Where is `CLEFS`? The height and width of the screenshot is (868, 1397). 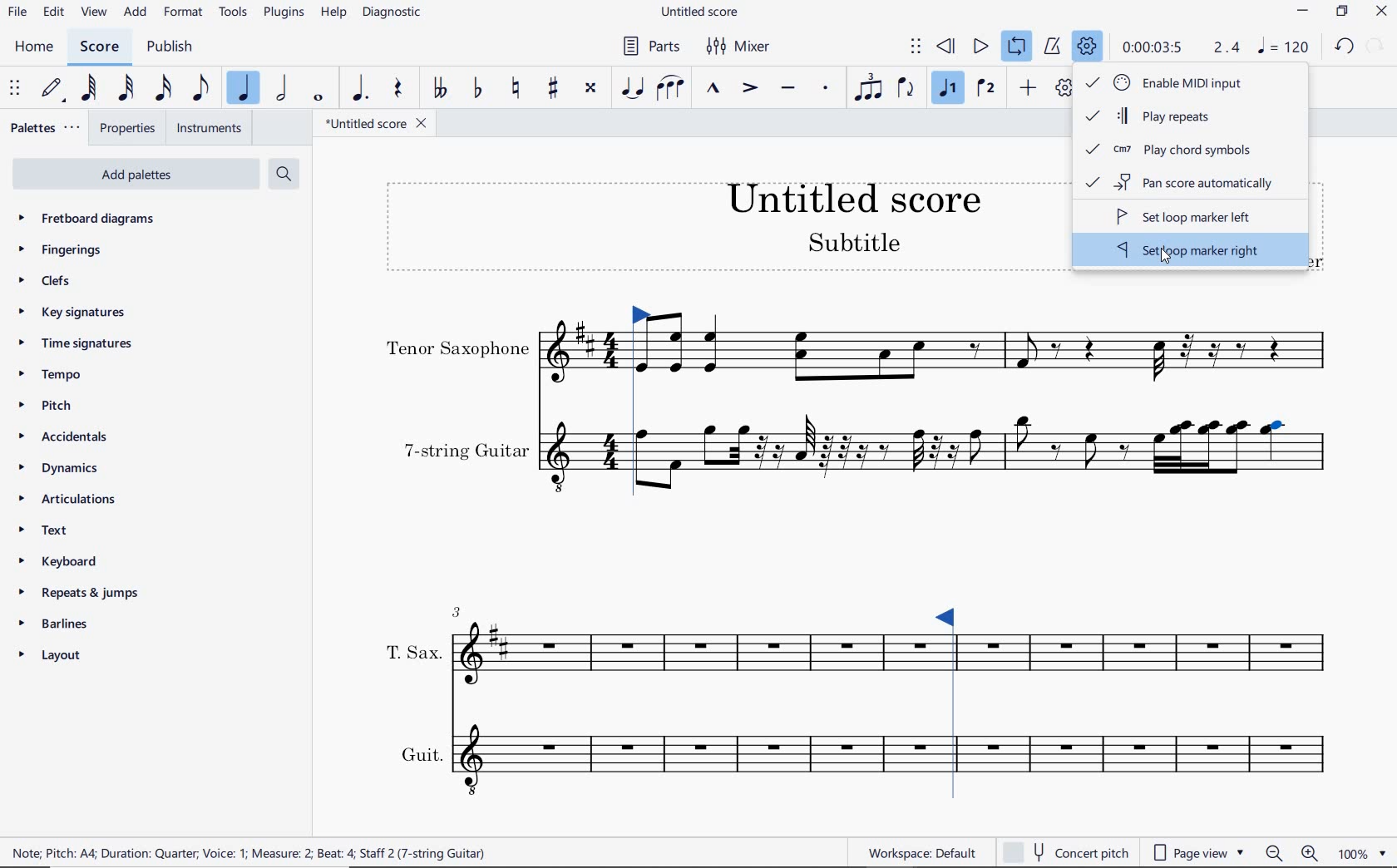
CLEFS is located at coordinates (52, 282).